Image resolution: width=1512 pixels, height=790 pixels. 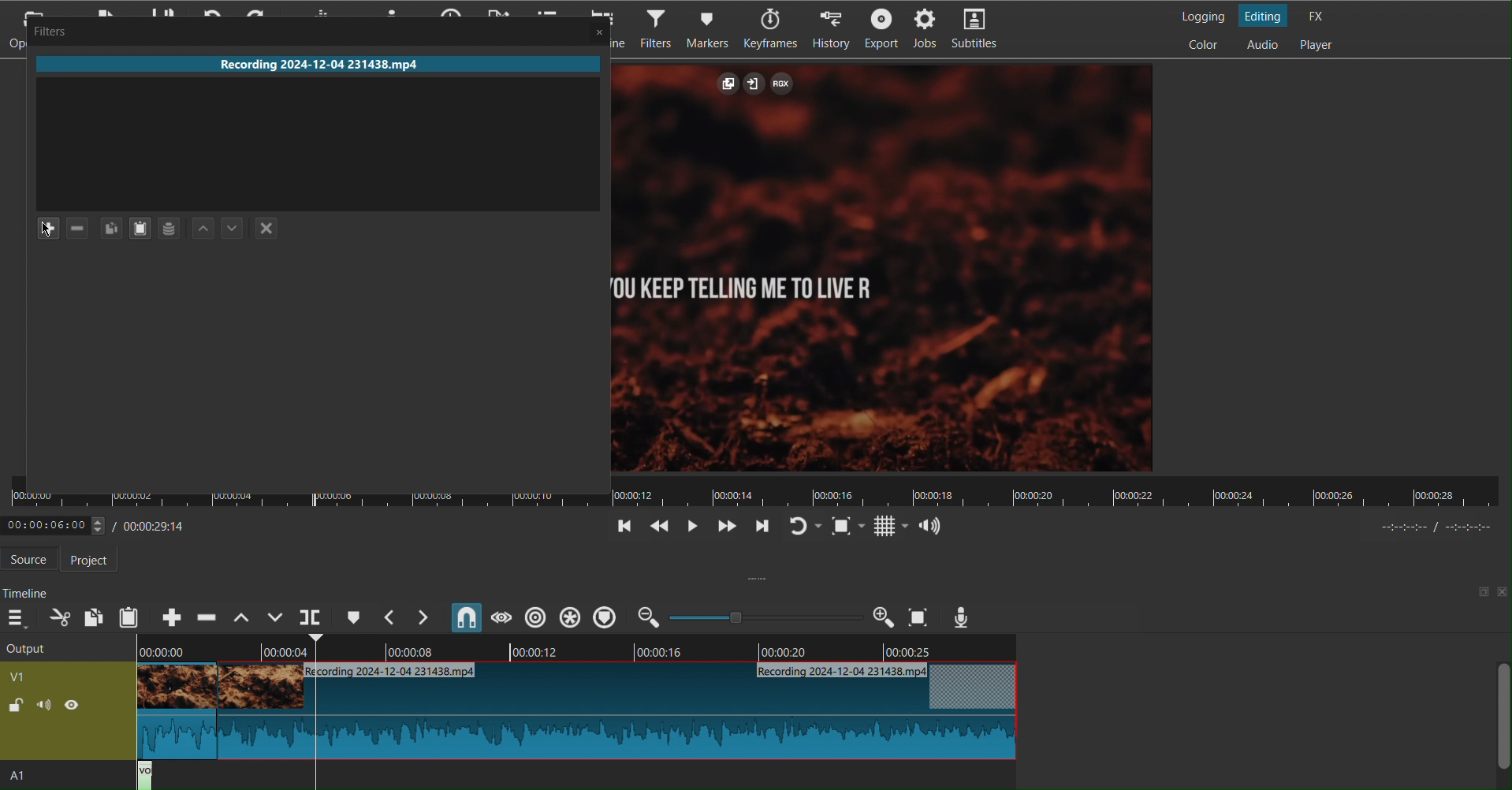 I want to click on Jump Back, so click(x=624, y=527).